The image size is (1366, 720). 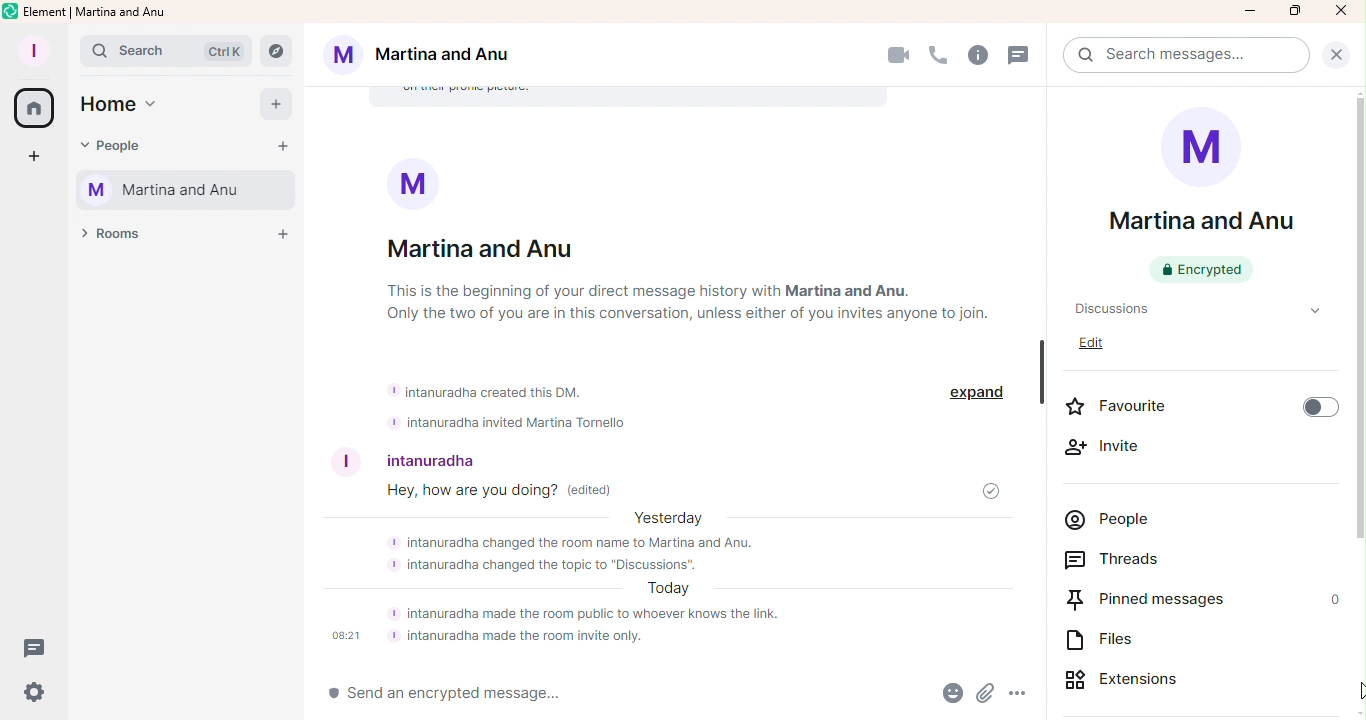 I want to click on Call, so click(x=938, y=53).